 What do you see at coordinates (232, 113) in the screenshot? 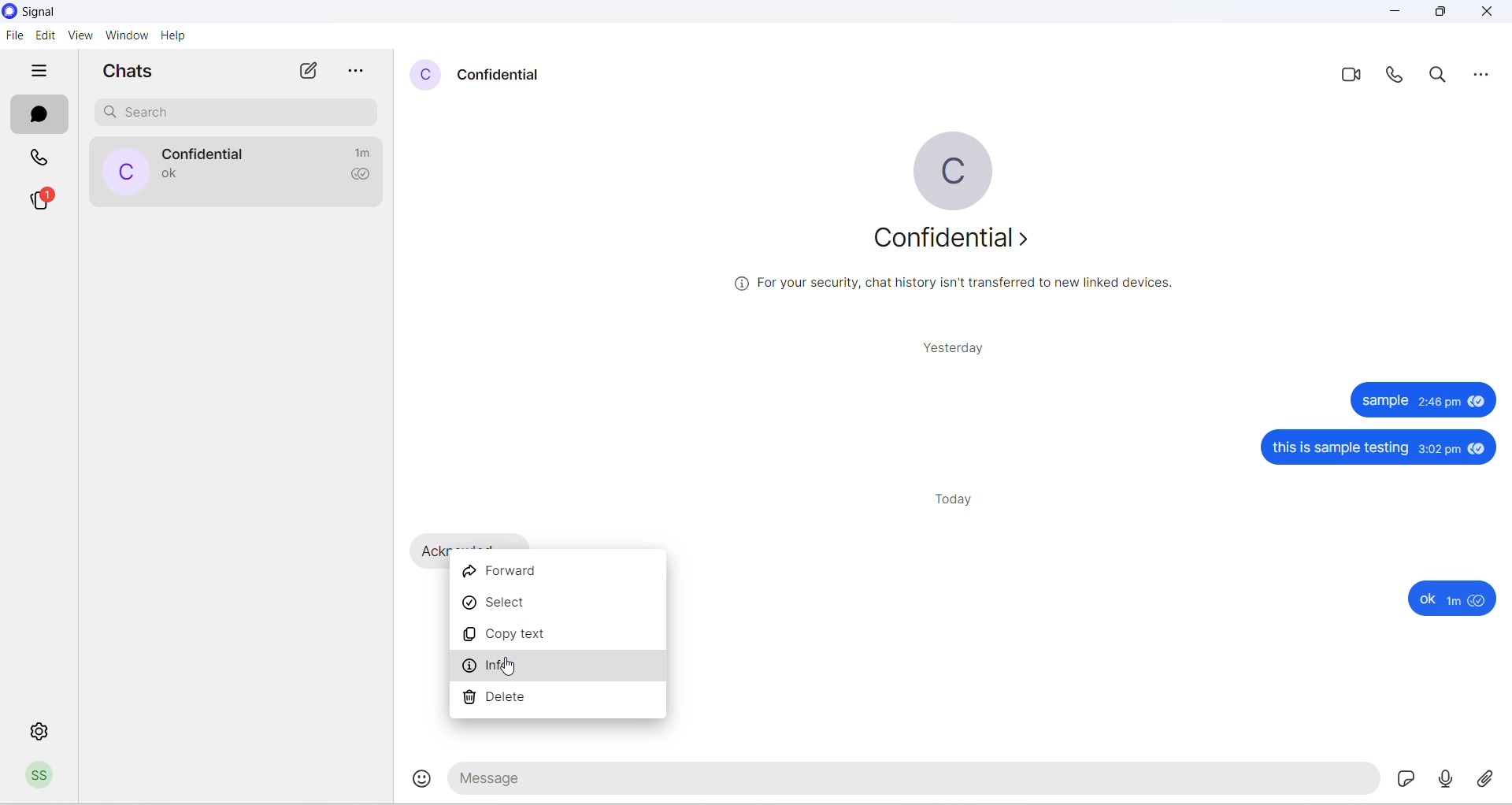
I see `search chat` at bounding box center [232, 113].